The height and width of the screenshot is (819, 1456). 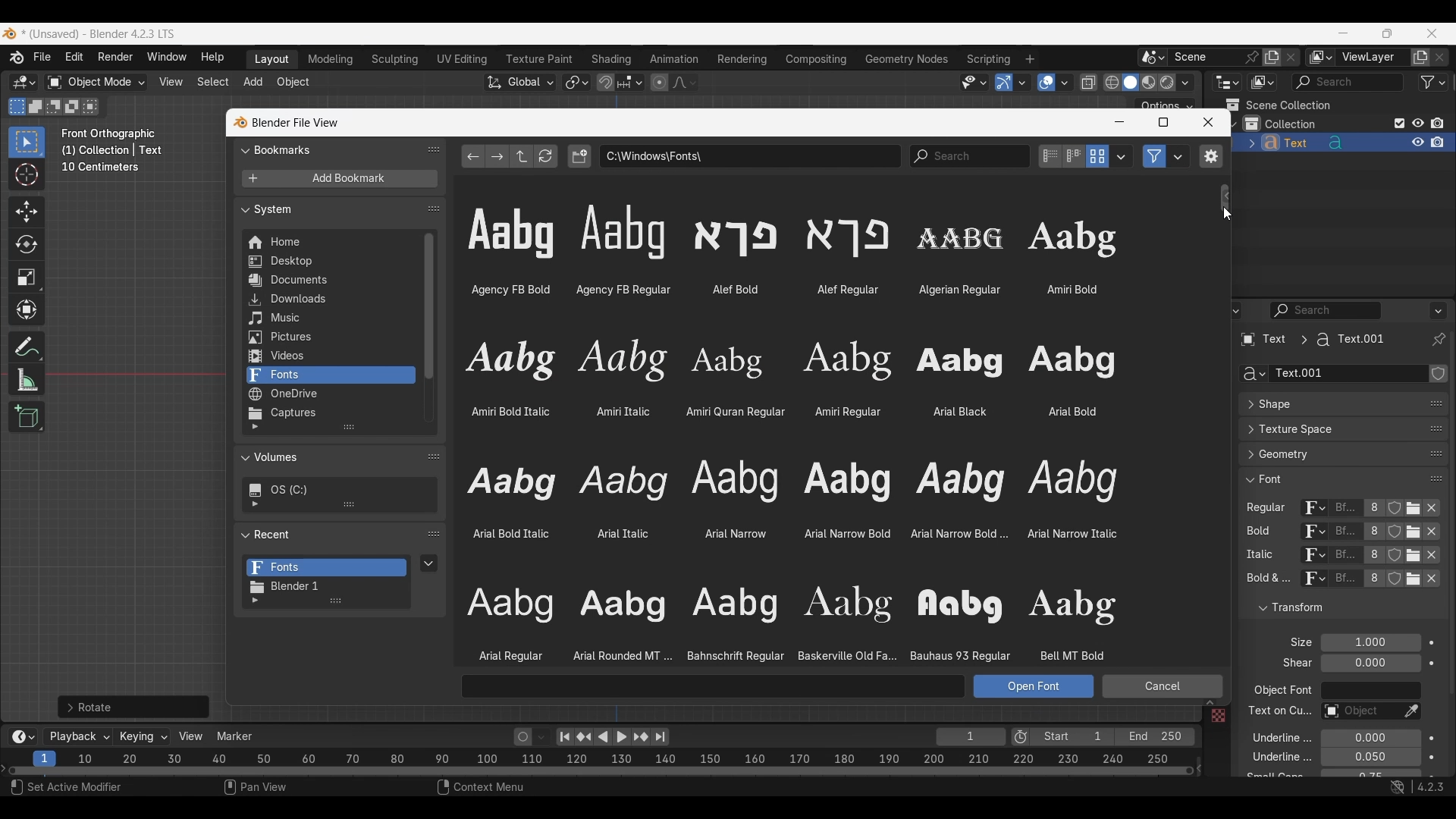 What do you see at coordinates (253, 83) in the screenshot?
I see `Add menu highlighted as current selection` at bounding box center [253, 83].